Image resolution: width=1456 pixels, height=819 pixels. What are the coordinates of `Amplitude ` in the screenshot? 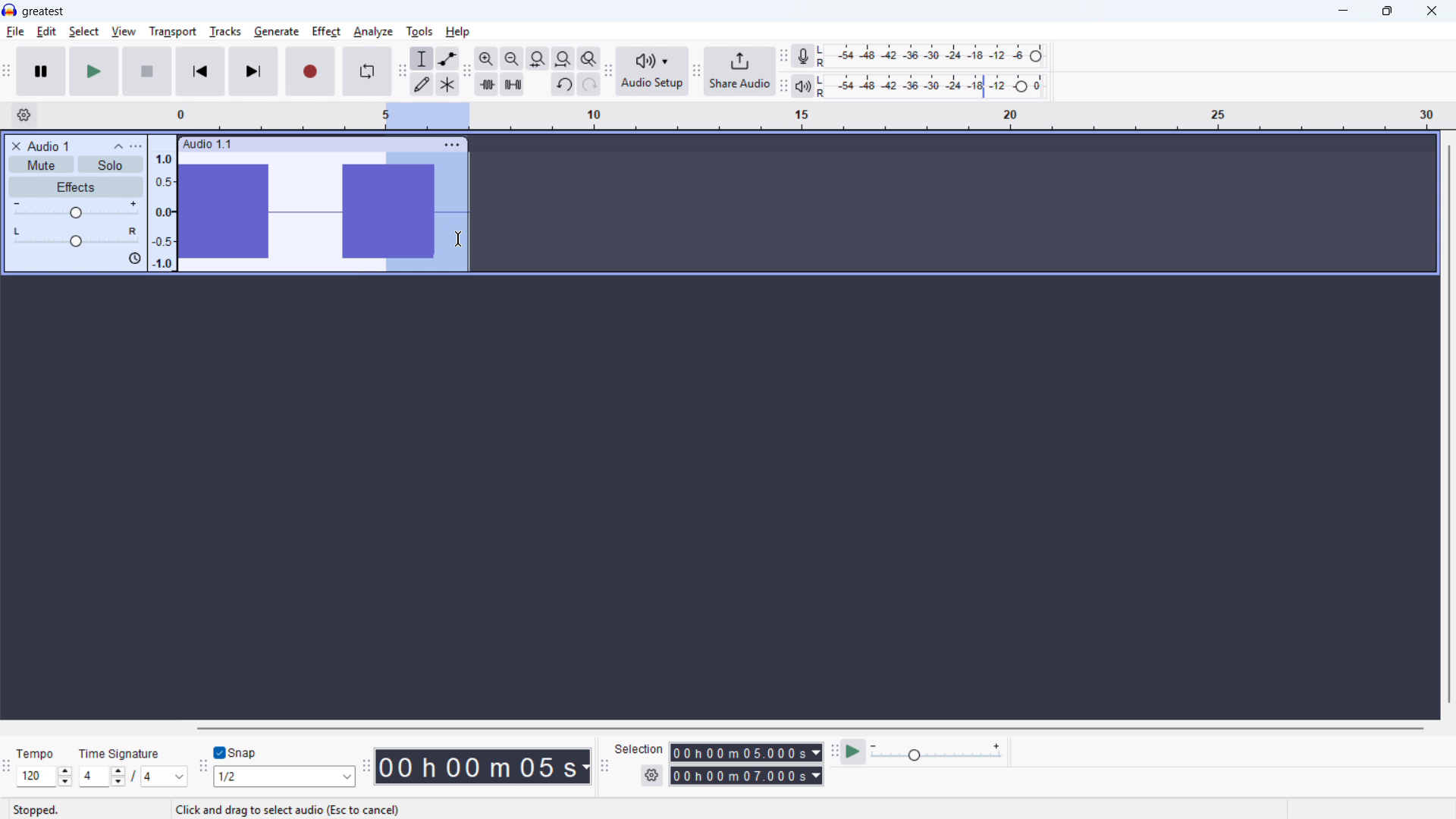 It's located at (162, 202).